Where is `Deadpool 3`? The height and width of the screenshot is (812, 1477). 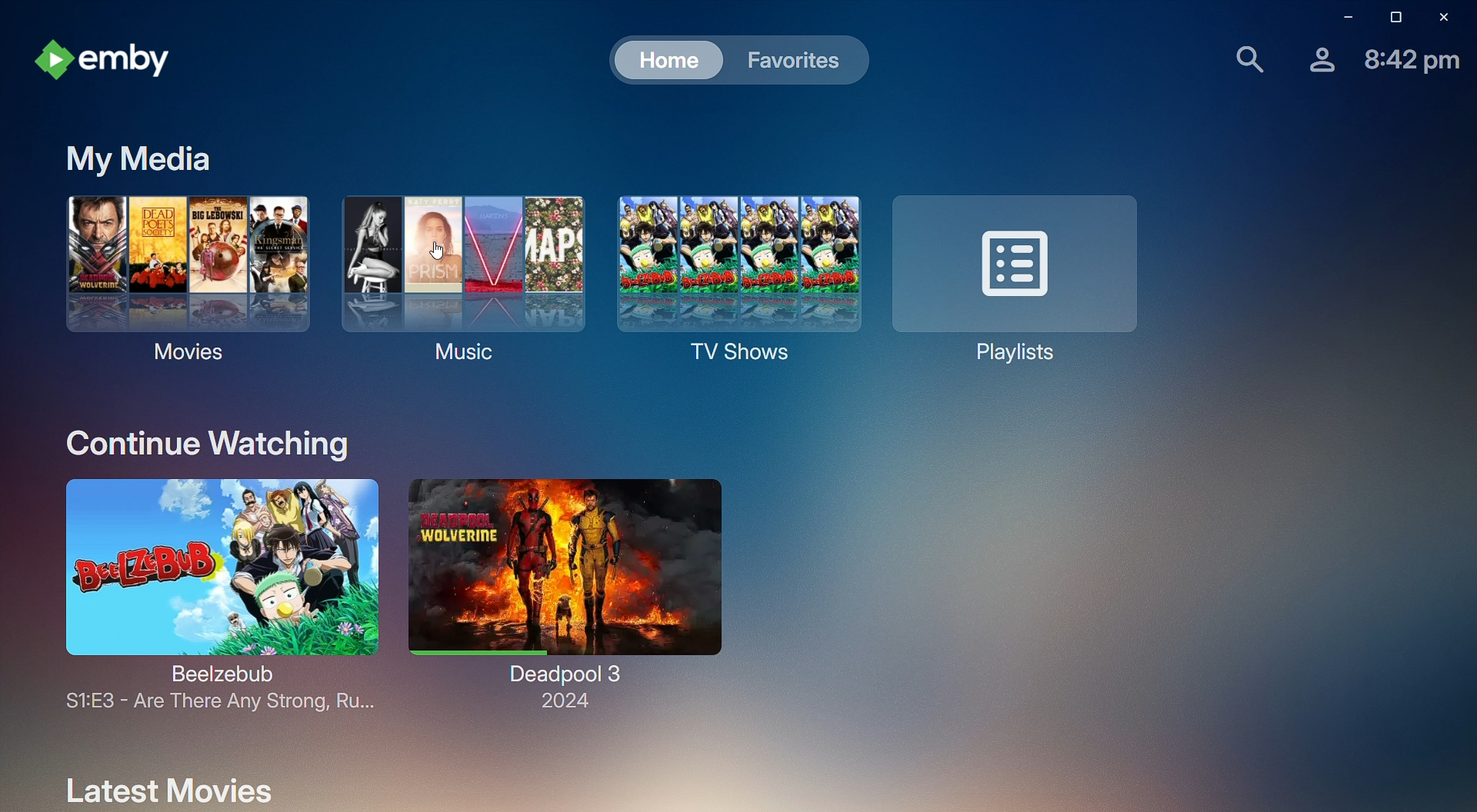 Deadpool 3 is located at coordinates (584, 594).